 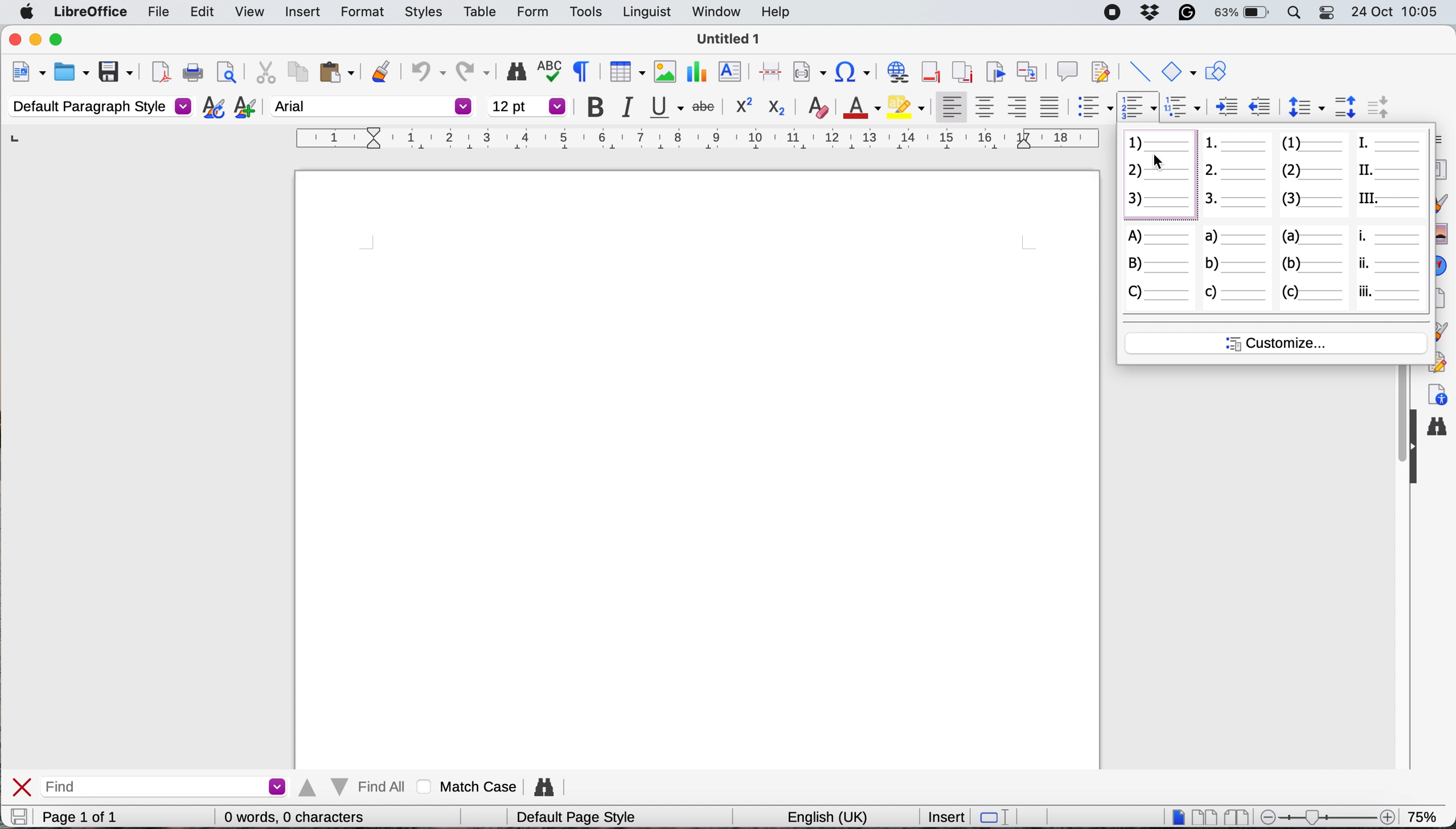 What do you see at coordinates (625, 73) in the screenshot?
I see `insert table` at bounding box center [625, 73].